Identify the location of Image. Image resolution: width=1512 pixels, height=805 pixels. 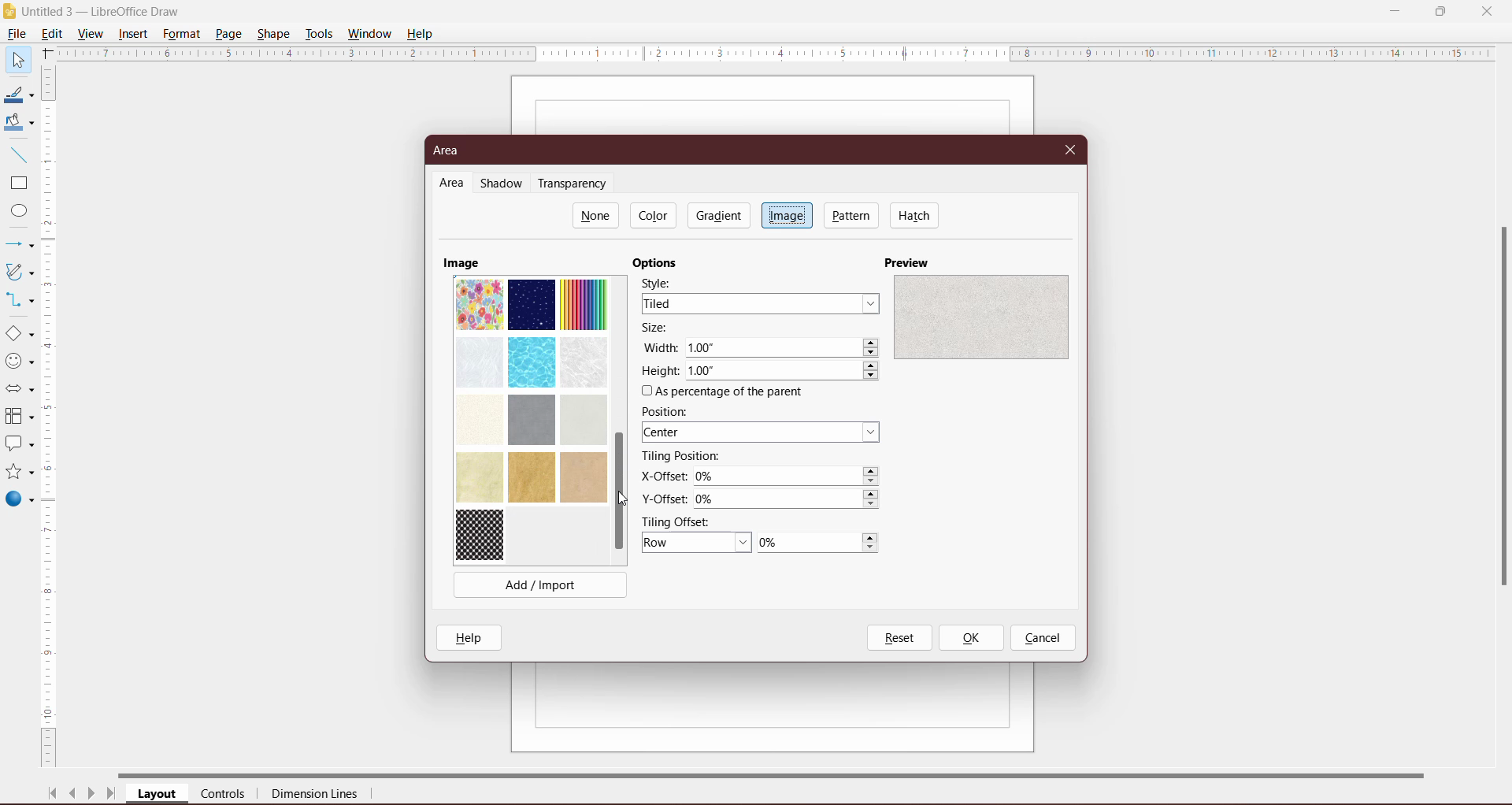
(787, 214).